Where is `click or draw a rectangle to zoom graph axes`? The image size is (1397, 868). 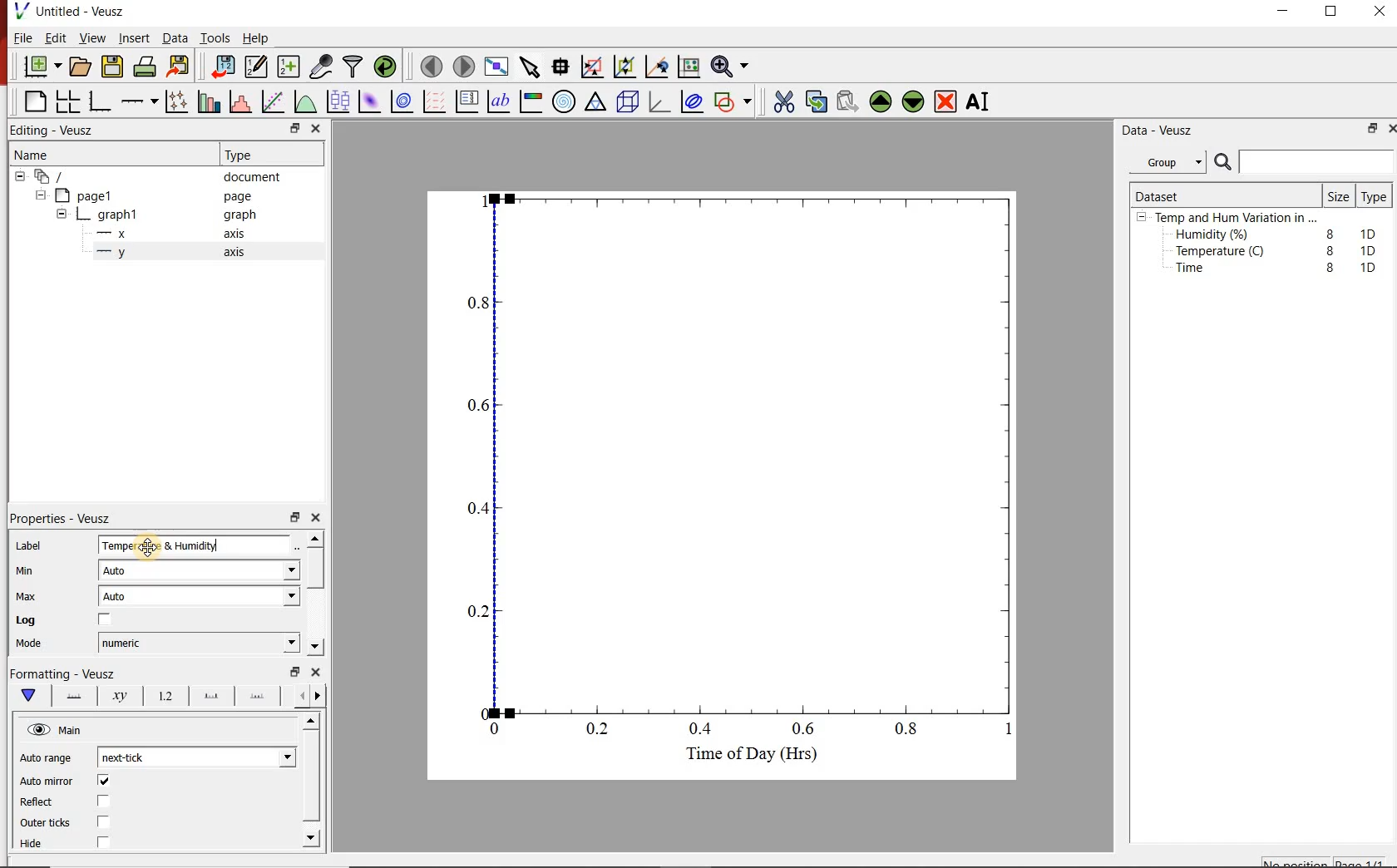
click or draw a rectangle to zoom graph axes is located at coordinates (595, 67).